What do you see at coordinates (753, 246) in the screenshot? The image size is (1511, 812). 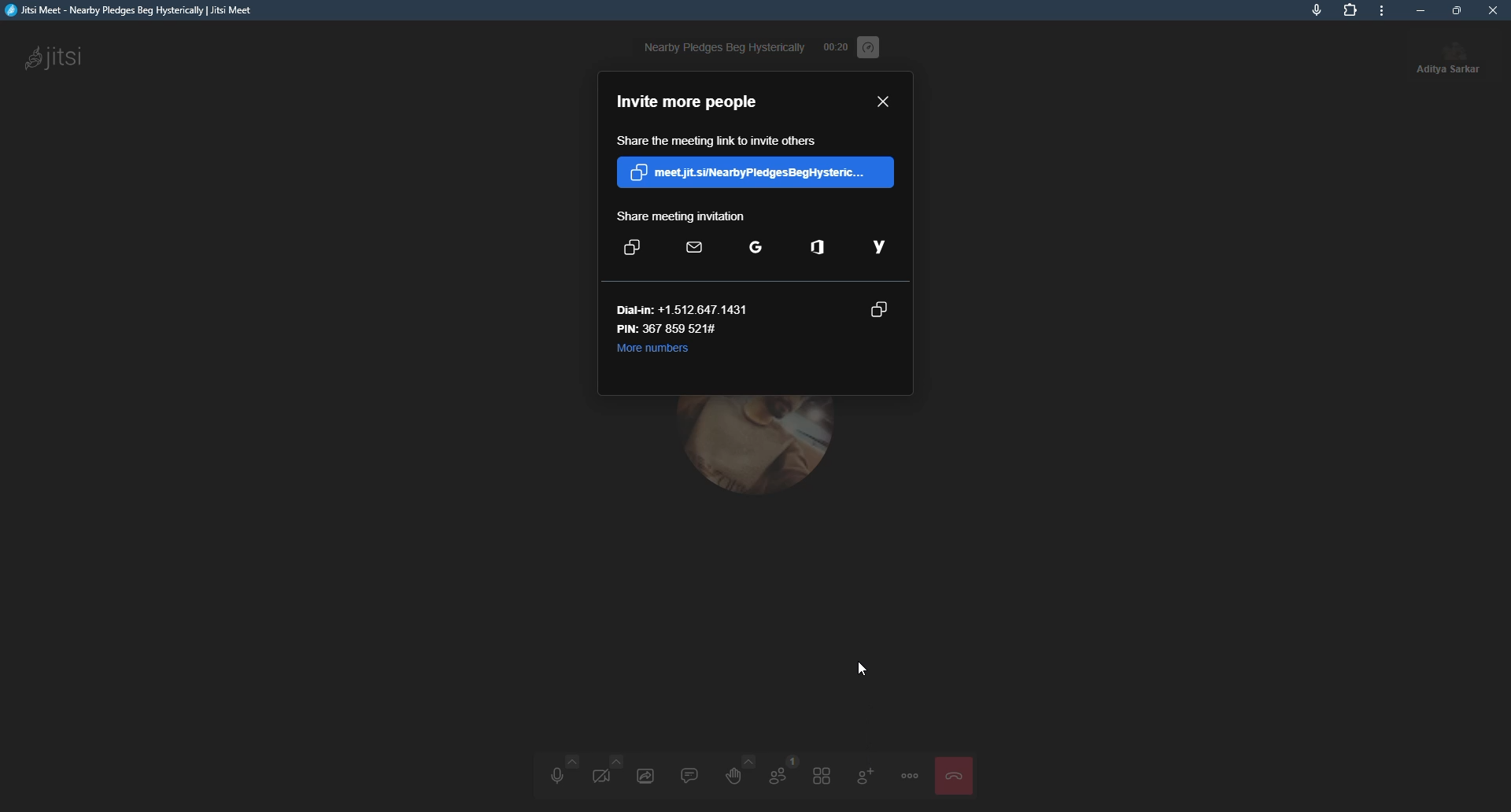 I see `google email` at bounding box center [753, 246].